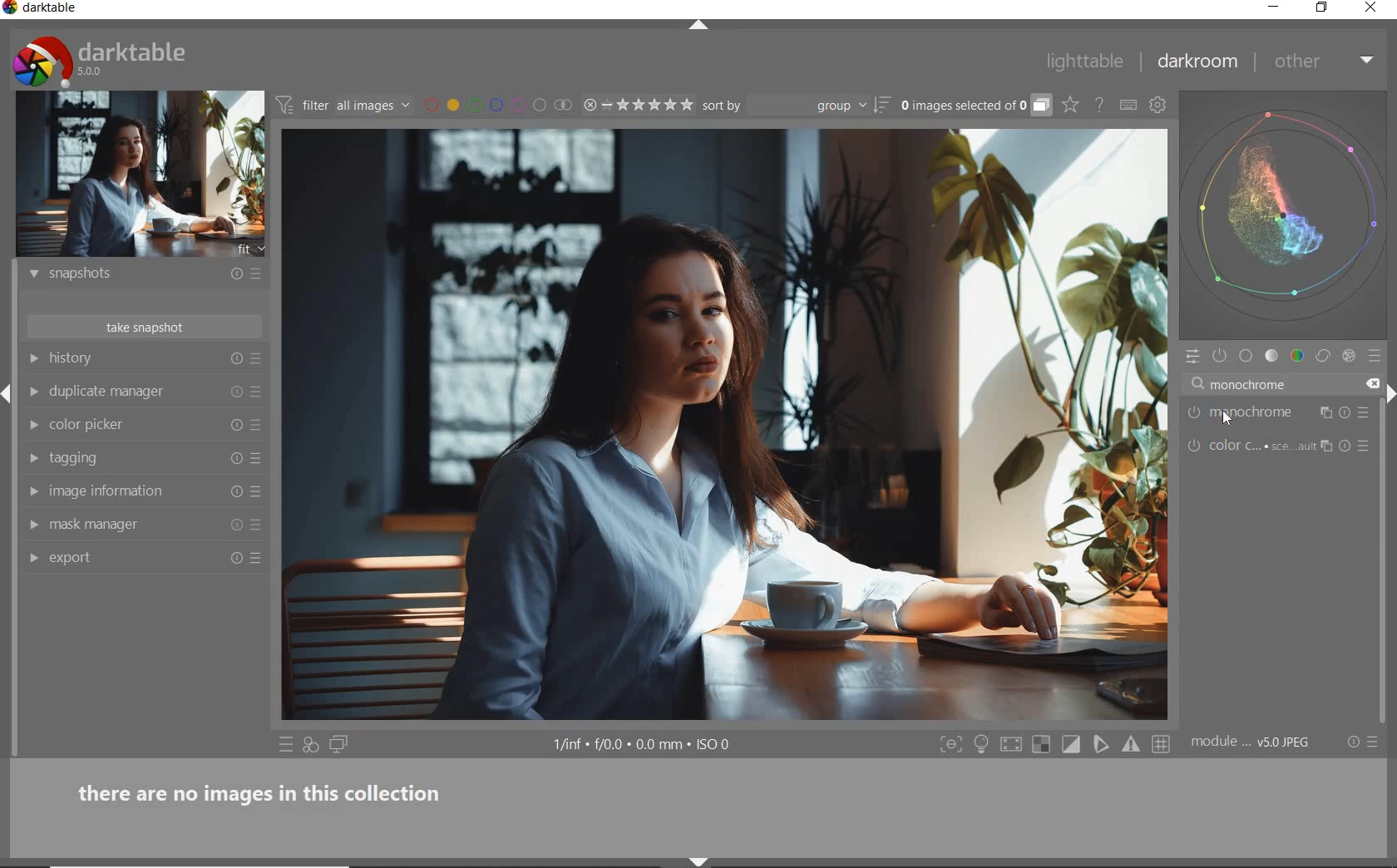 The image size is (1397, 868). What do you see at coordinates (344, 107) in the screenshot?
I see `filter images based on their module order` at bounding box center [344, 107].